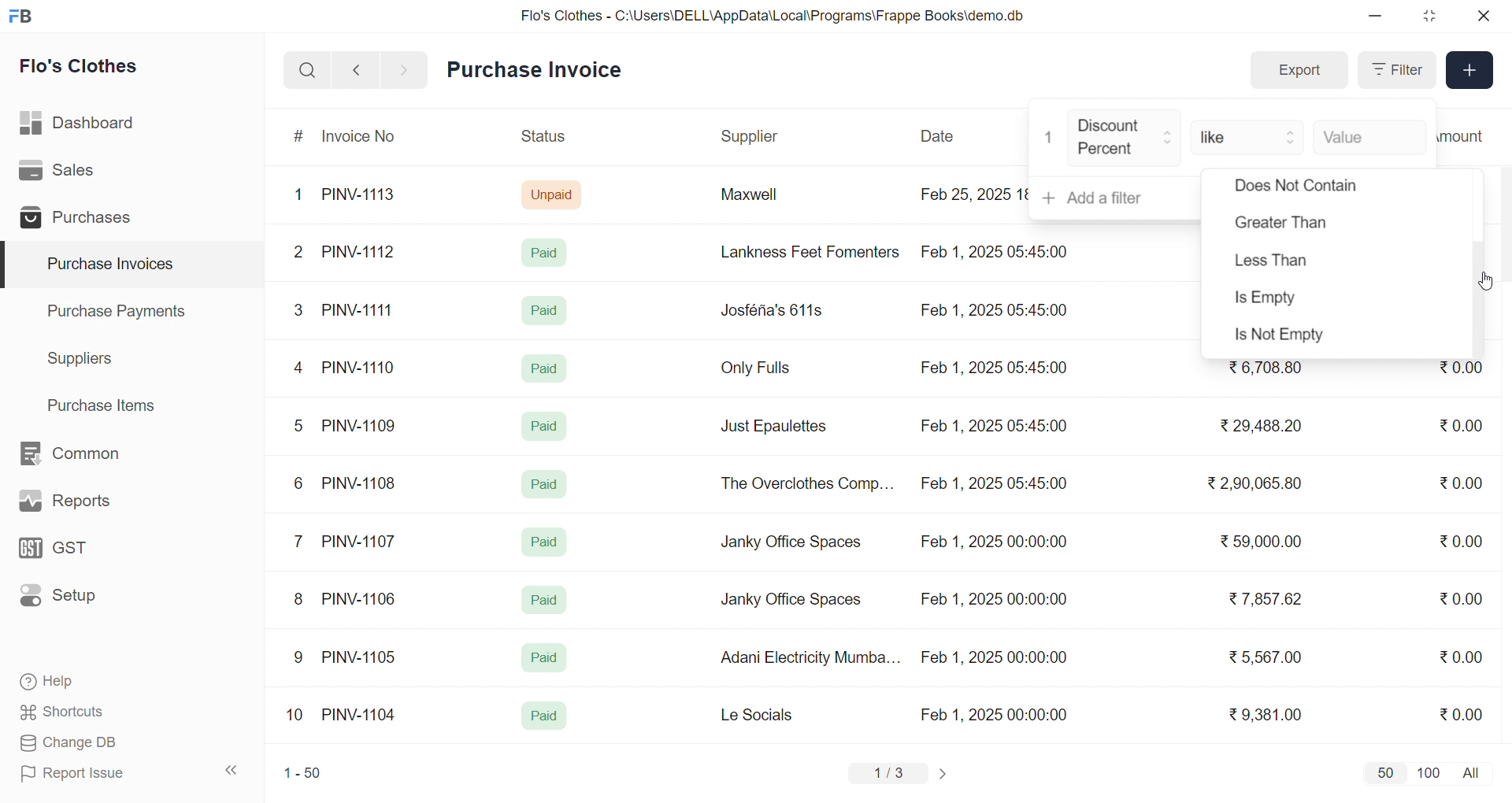 Image resolution: width=1512 pixels, height=803 pixels. I want to click on Paid, so click(545, 542).